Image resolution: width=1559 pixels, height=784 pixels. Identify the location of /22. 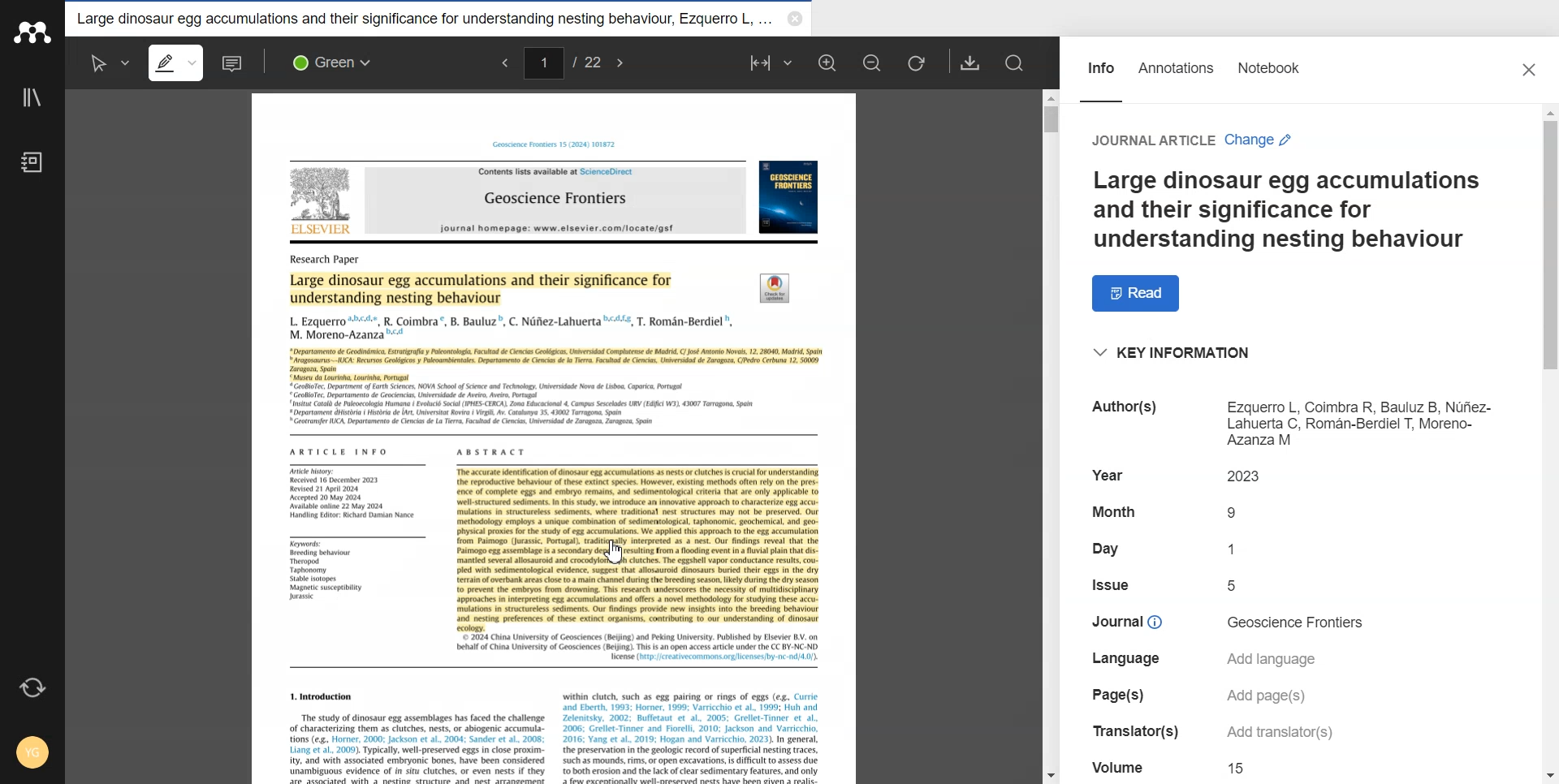
(586, 61).